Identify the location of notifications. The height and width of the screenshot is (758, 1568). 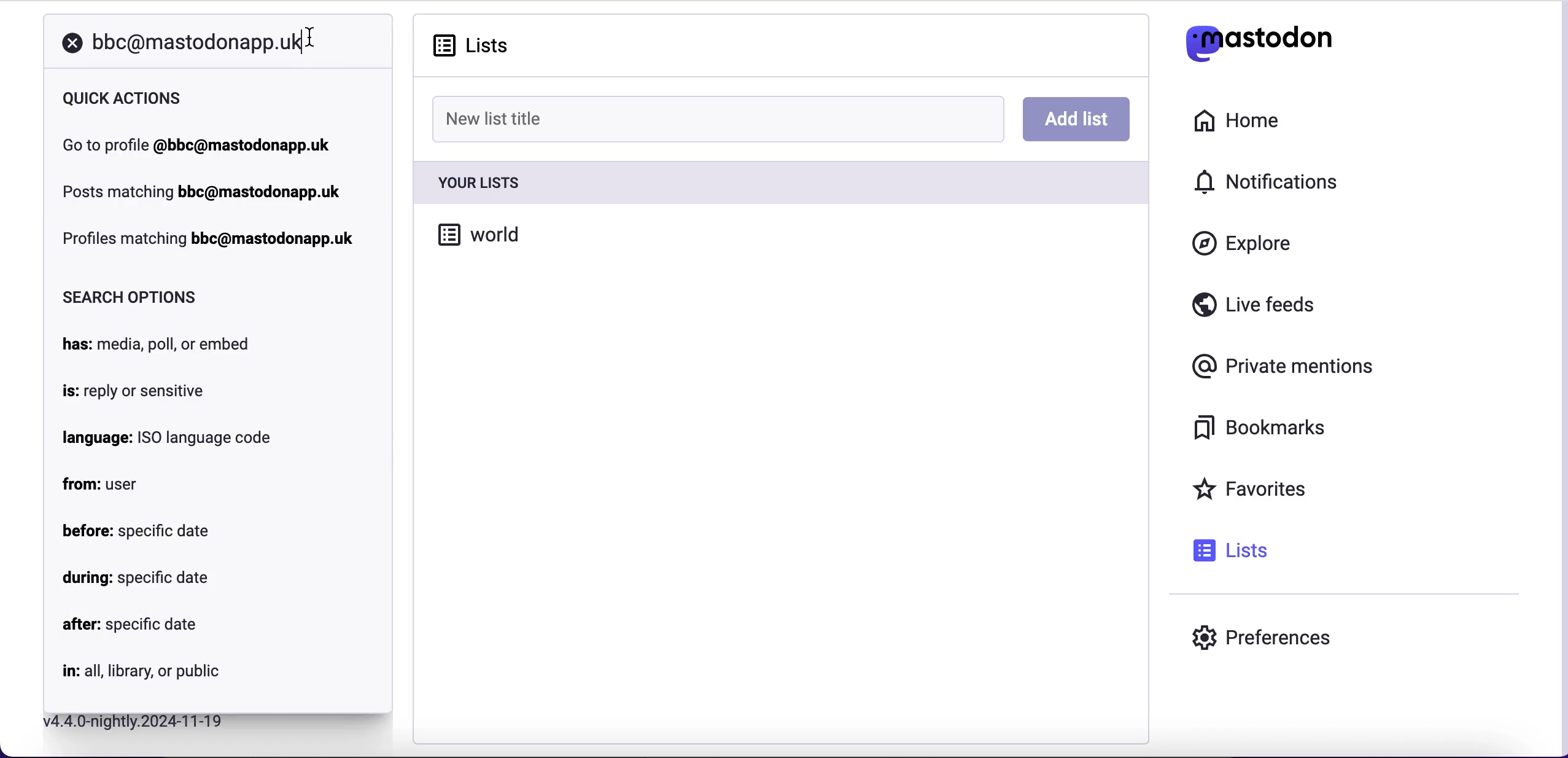
(1272, 181).